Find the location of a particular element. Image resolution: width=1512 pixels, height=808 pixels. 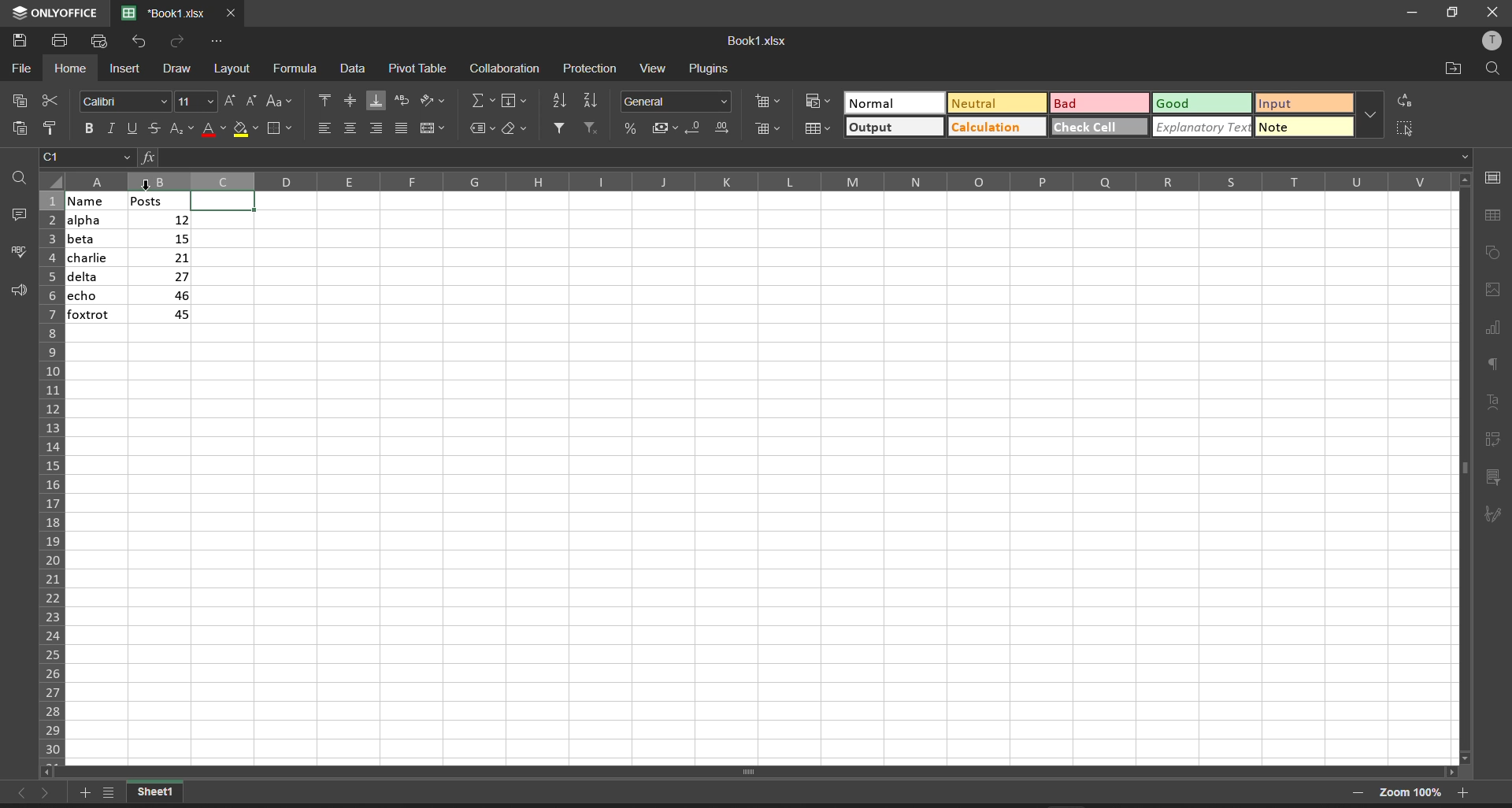

draw is located at coordinates (178, 68).